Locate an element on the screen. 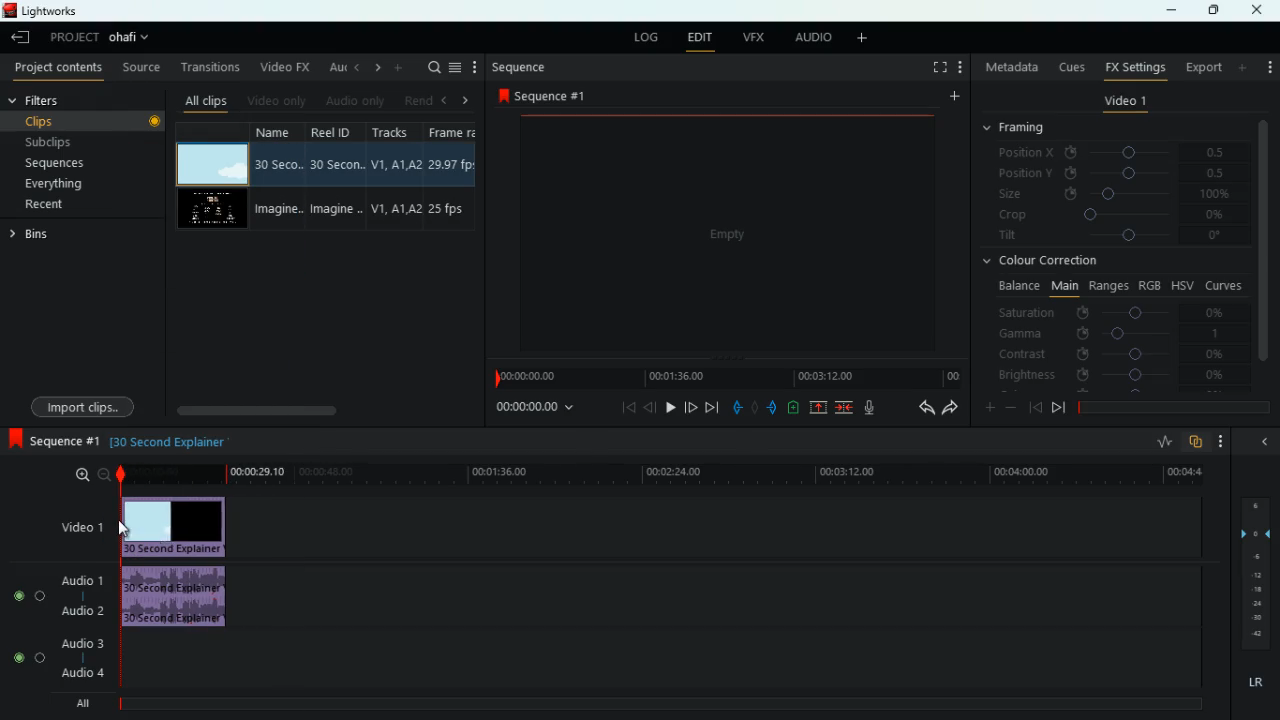 Image resolution: width=1280 pixels, height=720 pixels. rgb is located at coordinates (1151, 284).